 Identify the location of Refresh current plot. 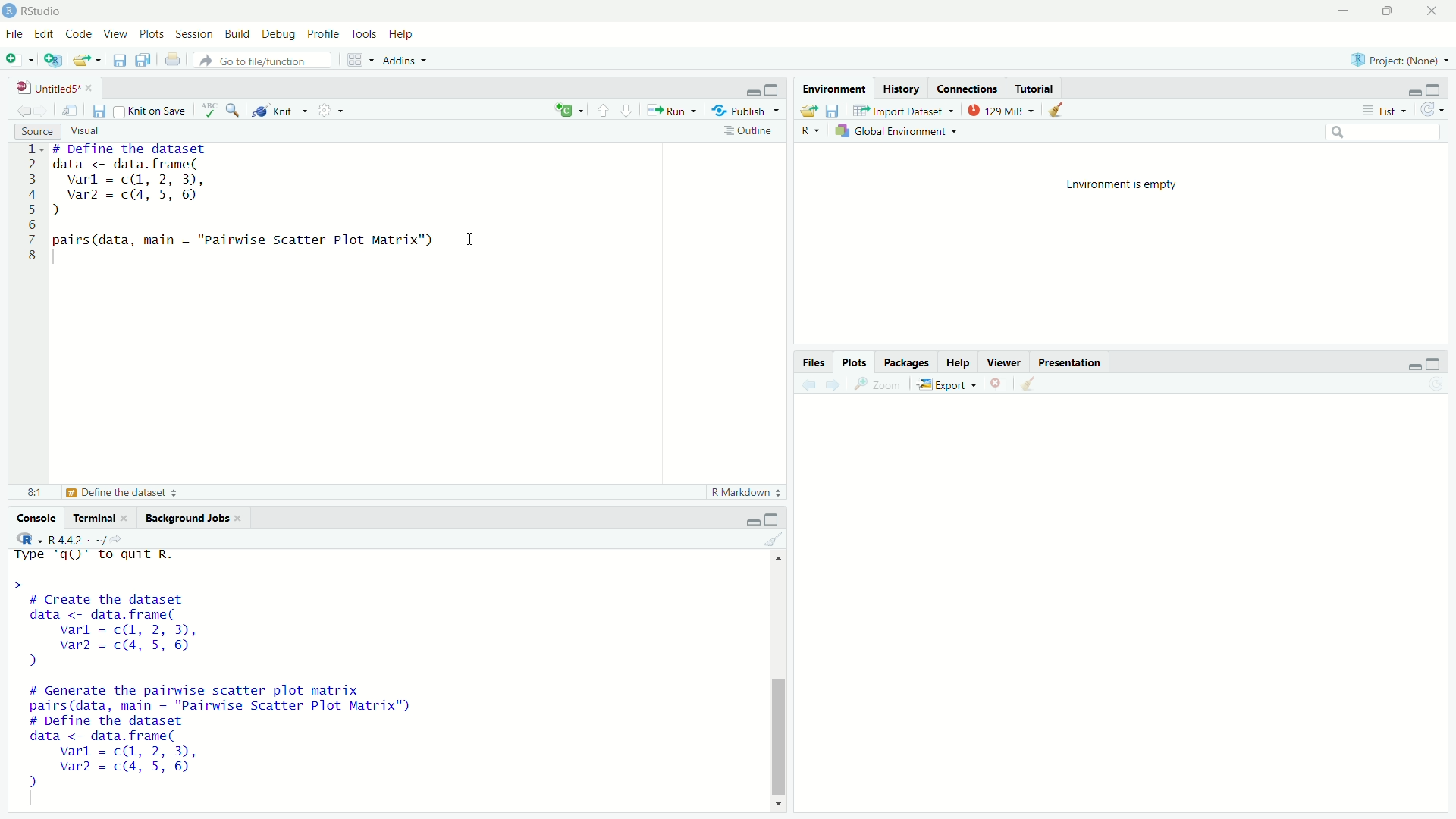
(1436, 384).